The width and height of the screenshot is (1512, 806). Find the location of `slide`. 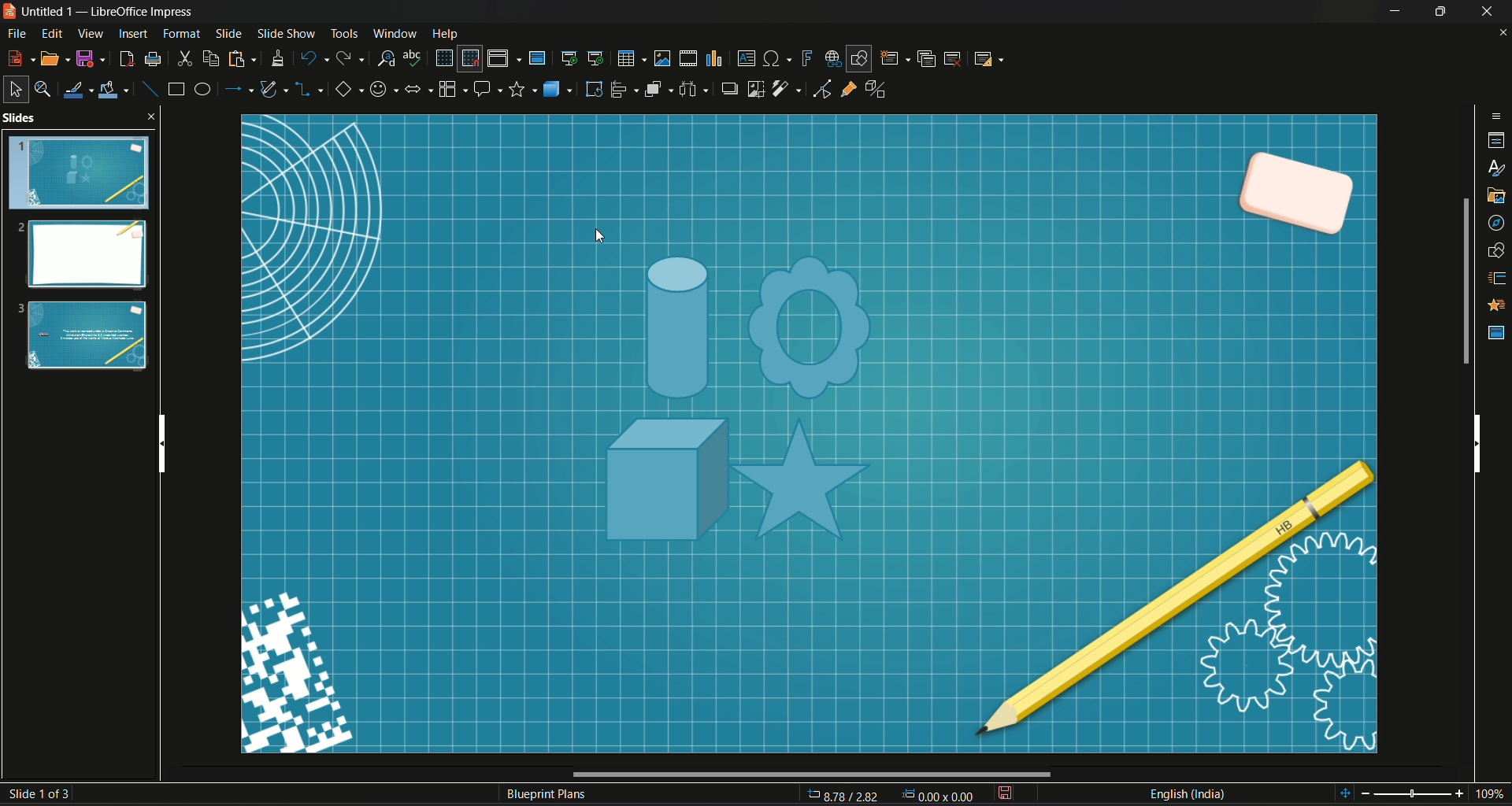

slide is located at coordinates (229, 32).